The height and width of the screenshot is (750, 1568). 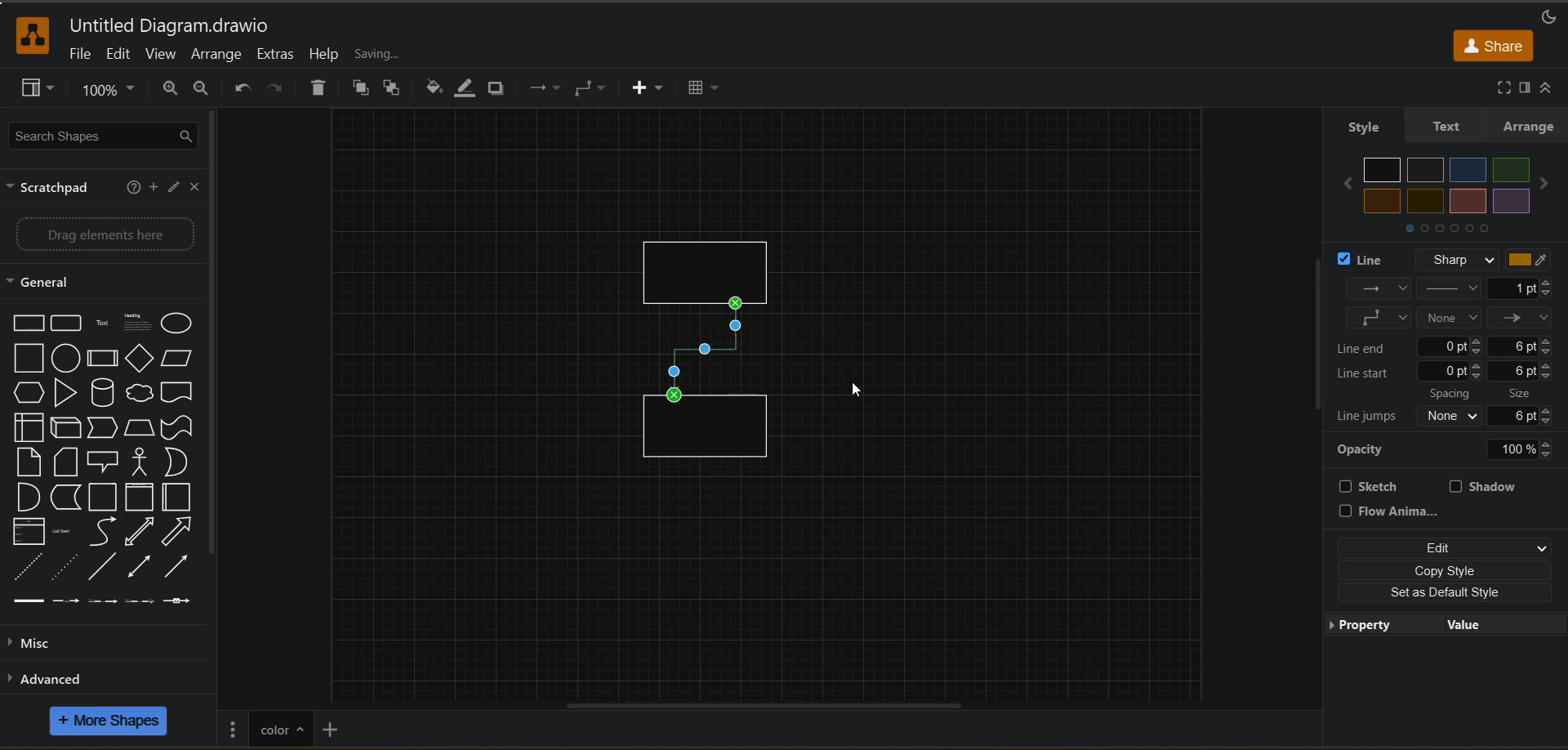 I want to click on Vertical Container, so click(x=142, y=498).